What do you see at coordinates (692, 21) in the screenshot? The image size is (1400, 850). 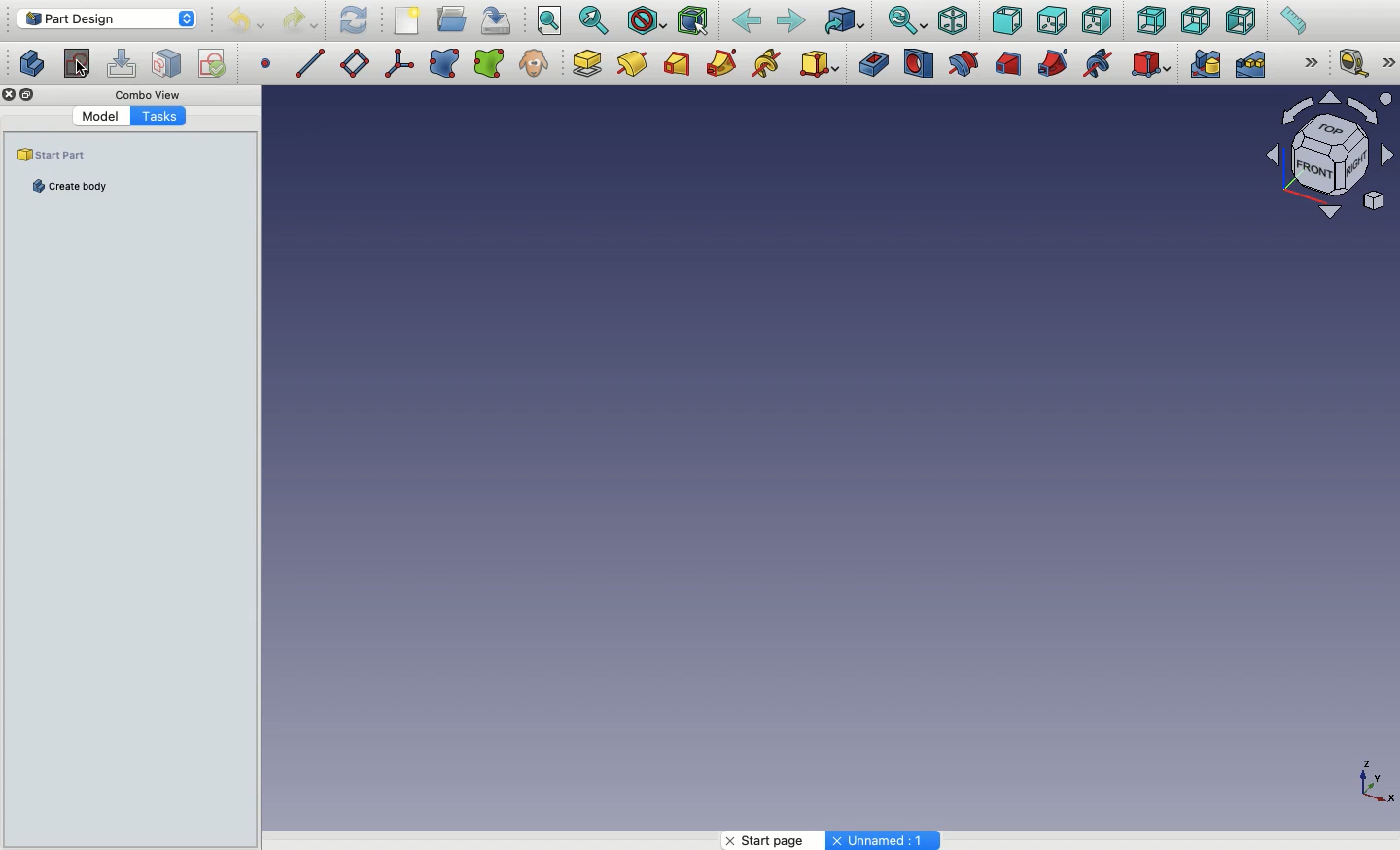 I see `Bounding Box` at bounding box center [692, 21].